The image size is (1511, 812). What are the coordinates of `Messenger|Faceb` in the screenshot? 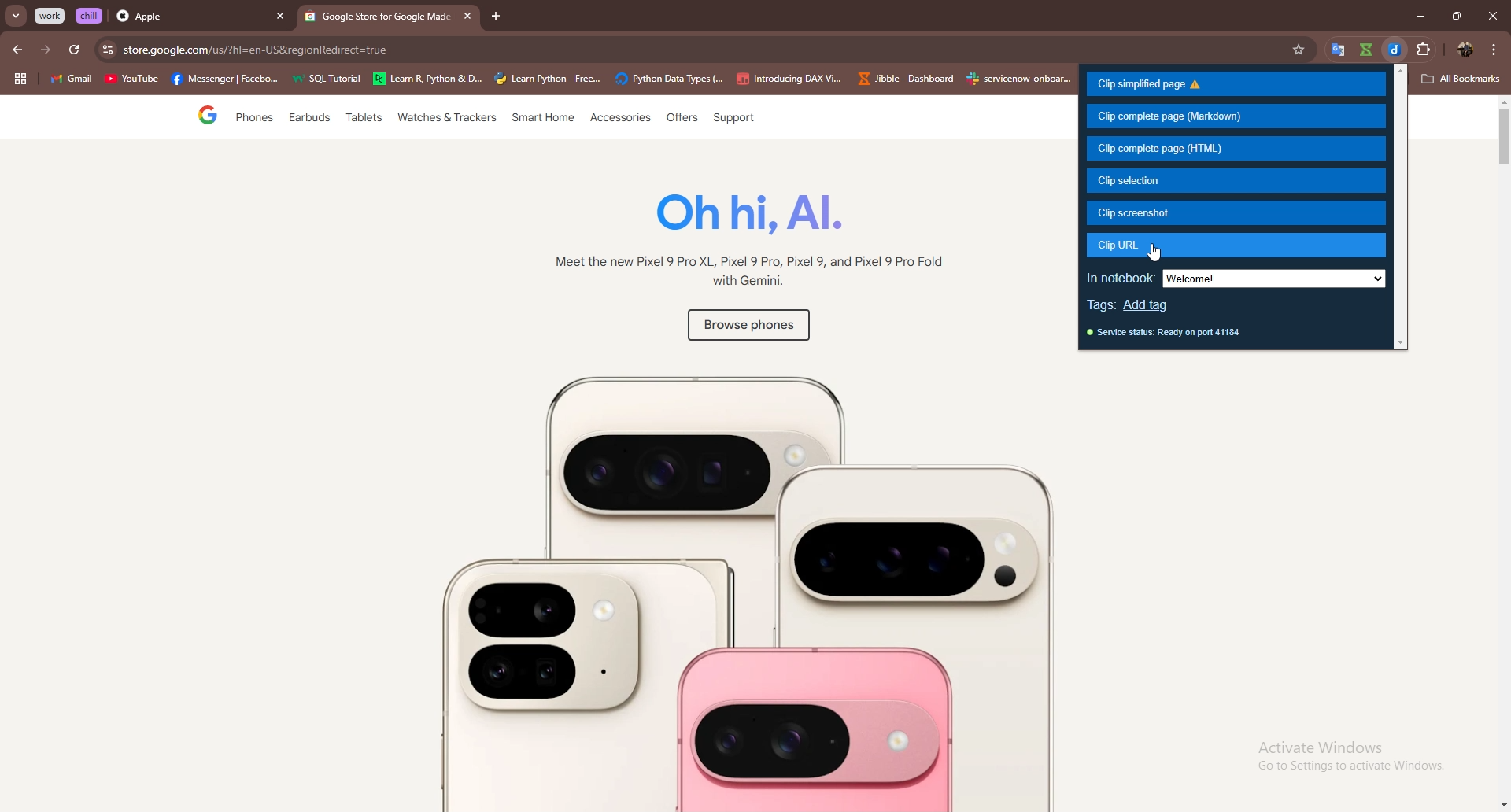 It's located at (227, 79).